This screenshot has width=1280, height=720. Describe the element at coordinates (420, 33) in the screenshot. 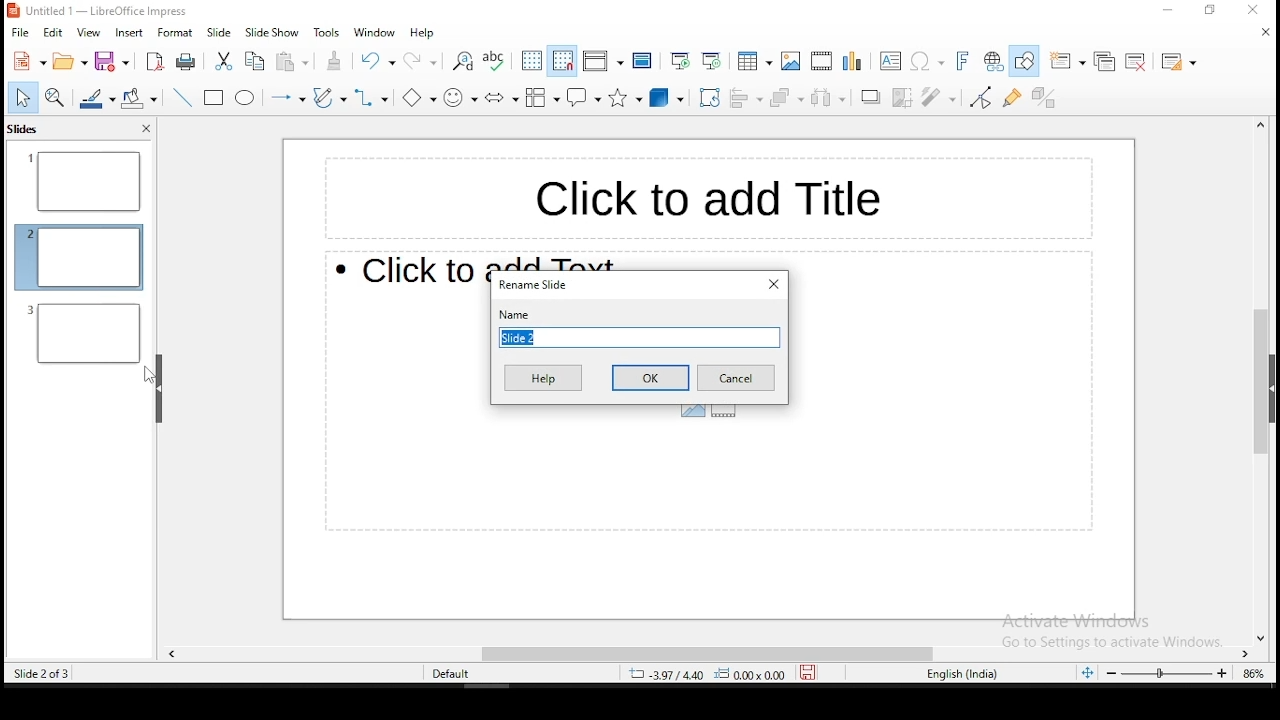

I see `help` at that location.